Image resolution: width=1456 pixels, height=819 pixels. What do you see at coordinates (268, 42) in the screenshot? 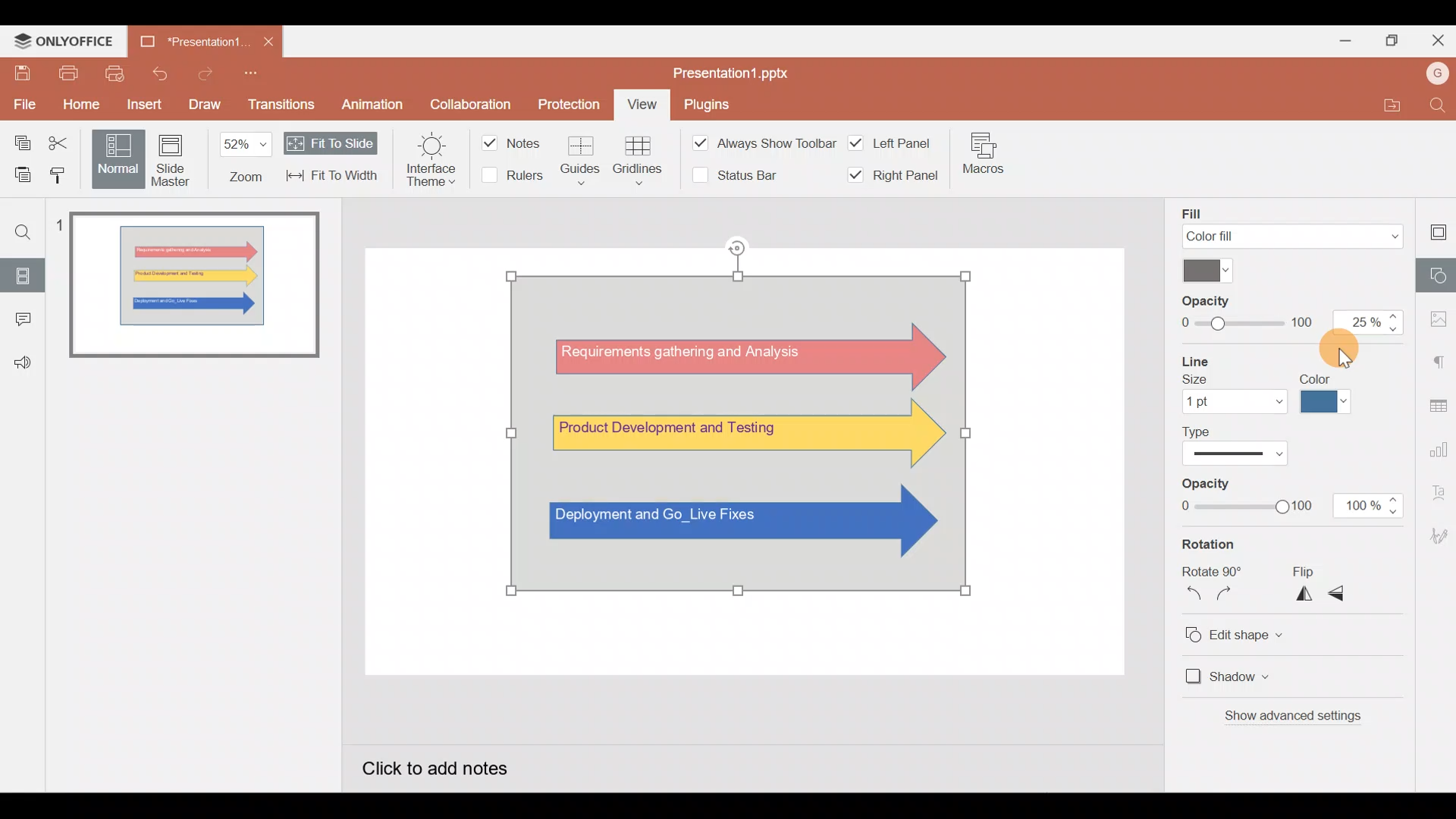
I see `Close` at bounding box center [268, 42].